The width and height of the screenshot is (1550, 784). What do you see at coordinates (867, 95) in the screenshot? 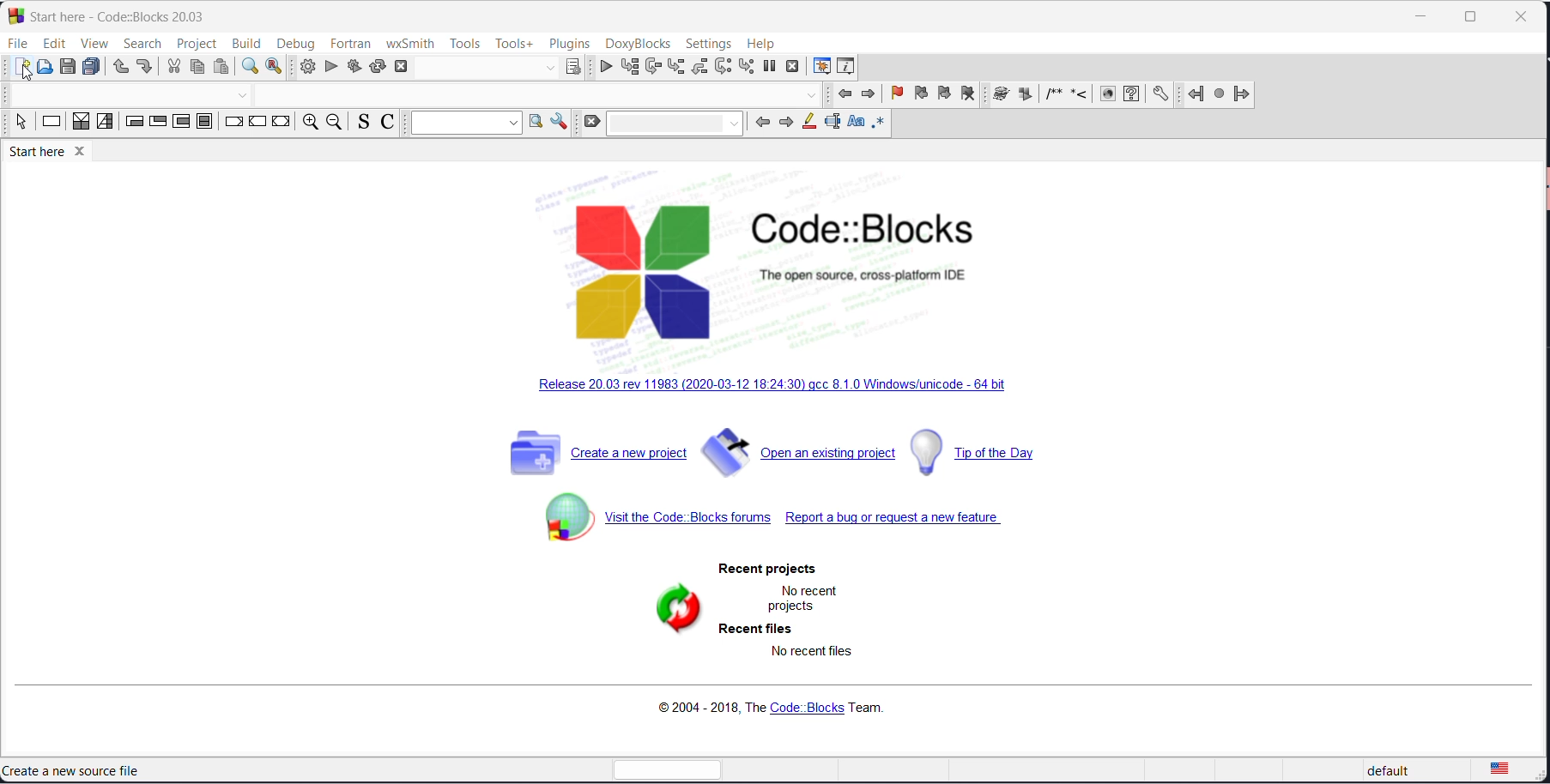
I see `go next ` at bounding box center [867, 95].